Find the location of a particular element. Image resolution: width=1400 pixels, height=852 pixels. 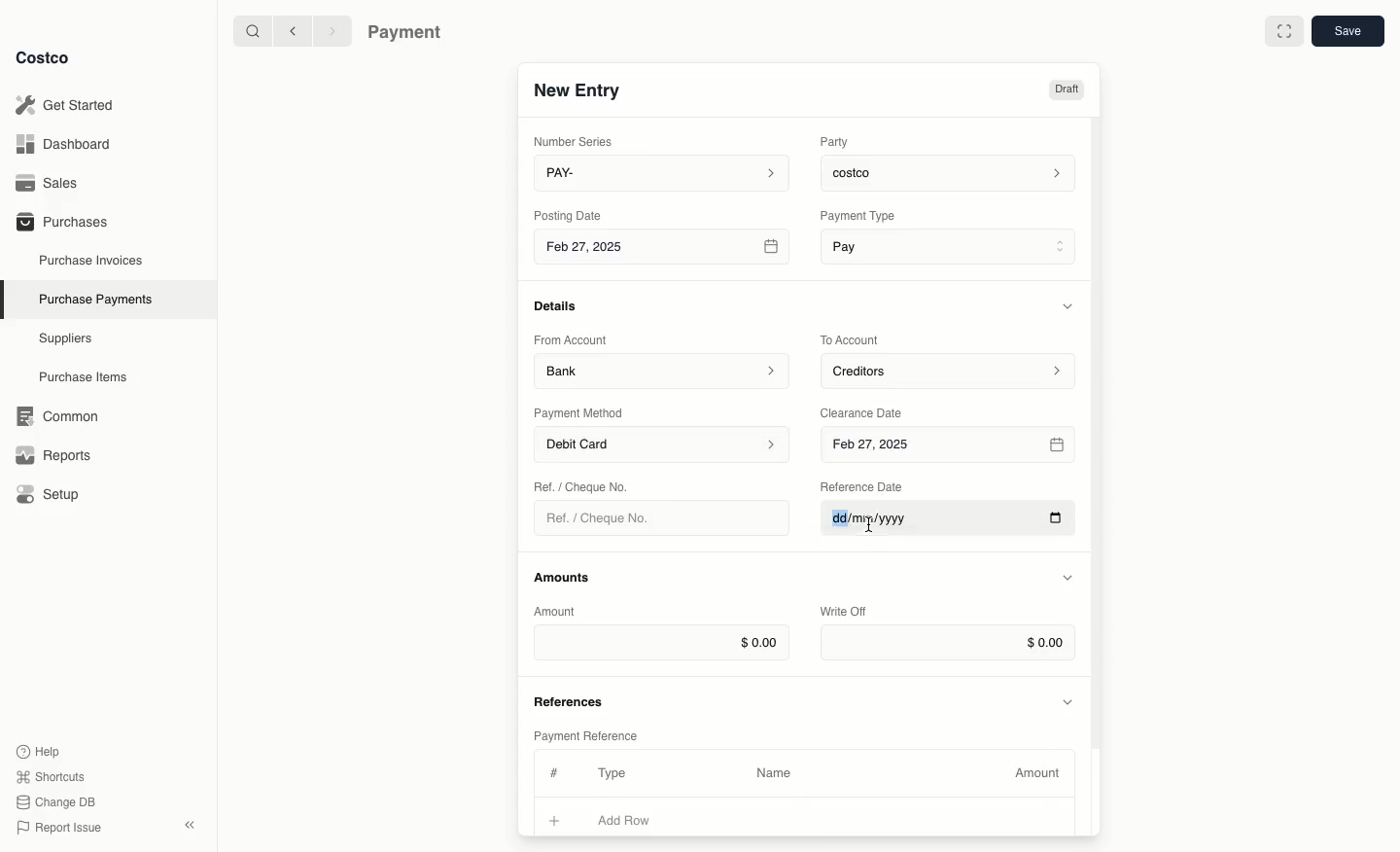

dd/mm/yyyy is located at coordinates (947, 523).